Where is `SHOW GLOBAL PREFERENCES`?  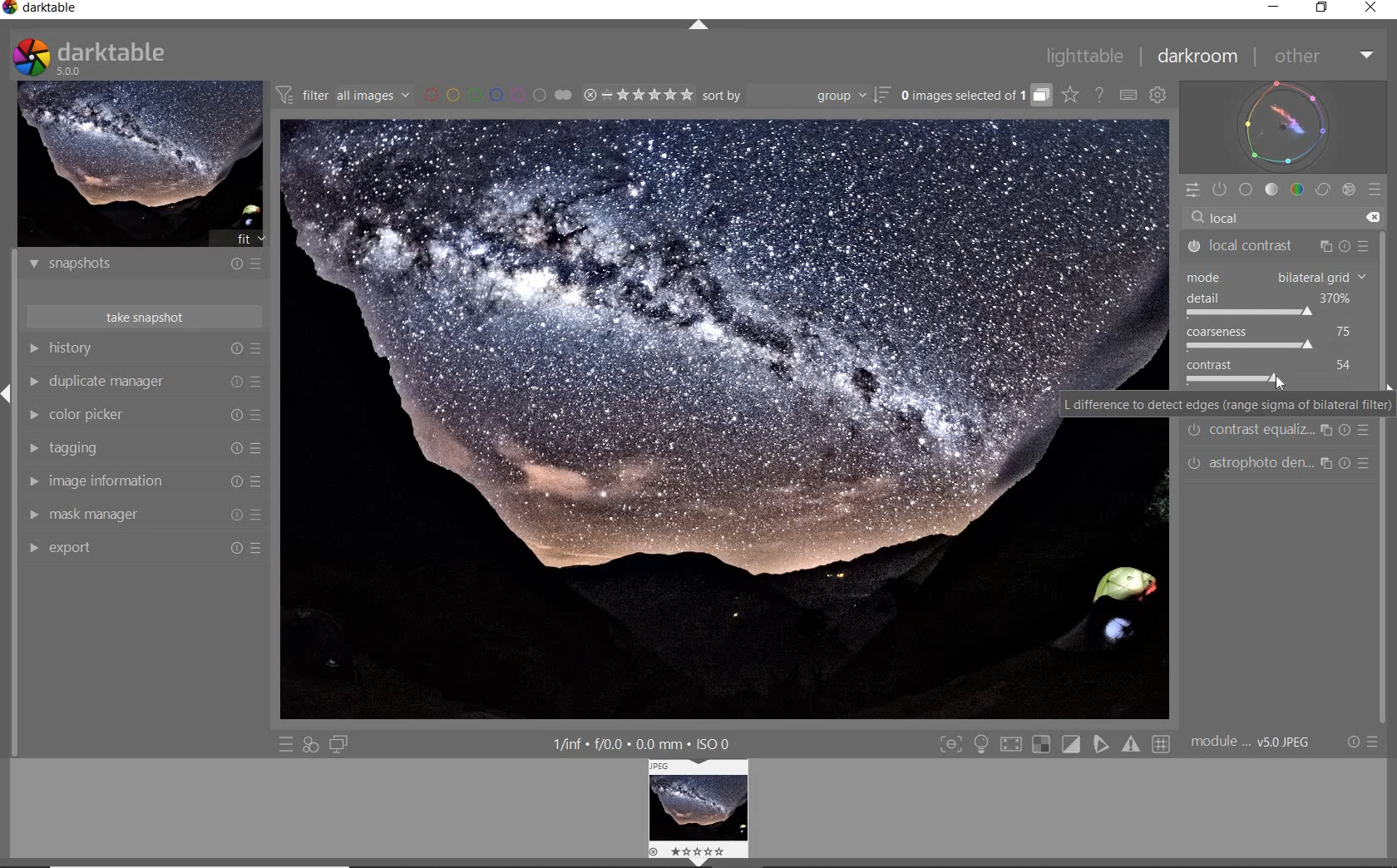 SHOW GLOBAL PREFERENCES is located at coordinates (1157, 94).